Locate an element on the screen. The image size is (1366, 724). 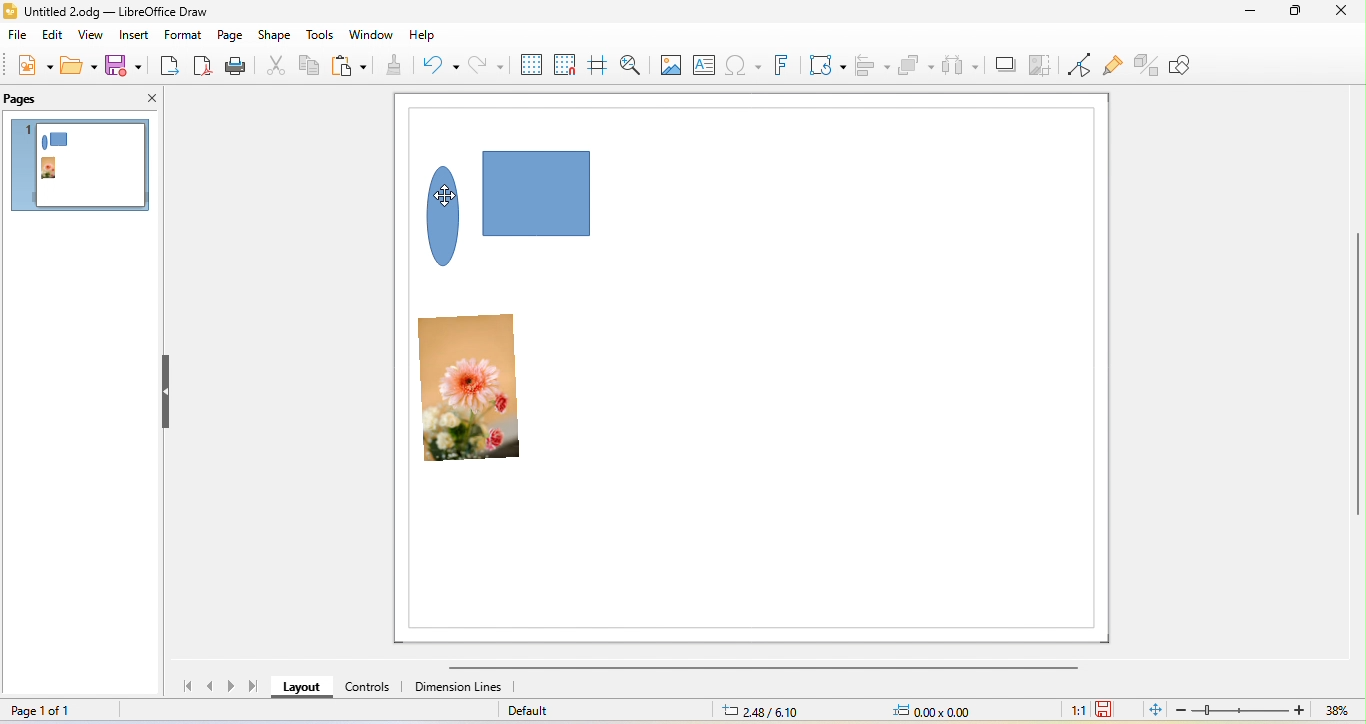
help is located at coordinates (423, 36).